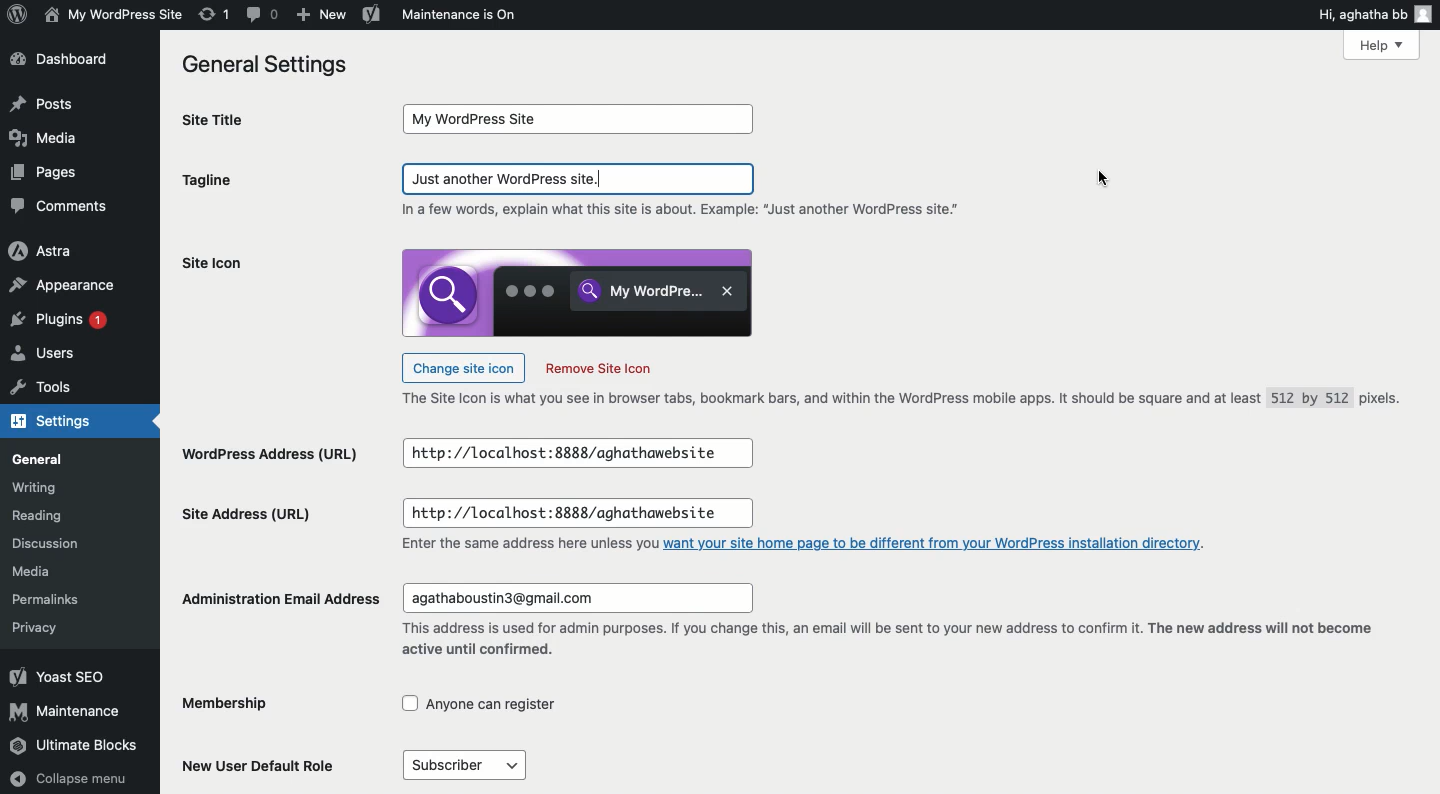 This screenshot has width=1440, height=794. What do you see at coordinates (1101, 180) in the screenshot?
I see `cursor` at bounding box center [1101, 180].